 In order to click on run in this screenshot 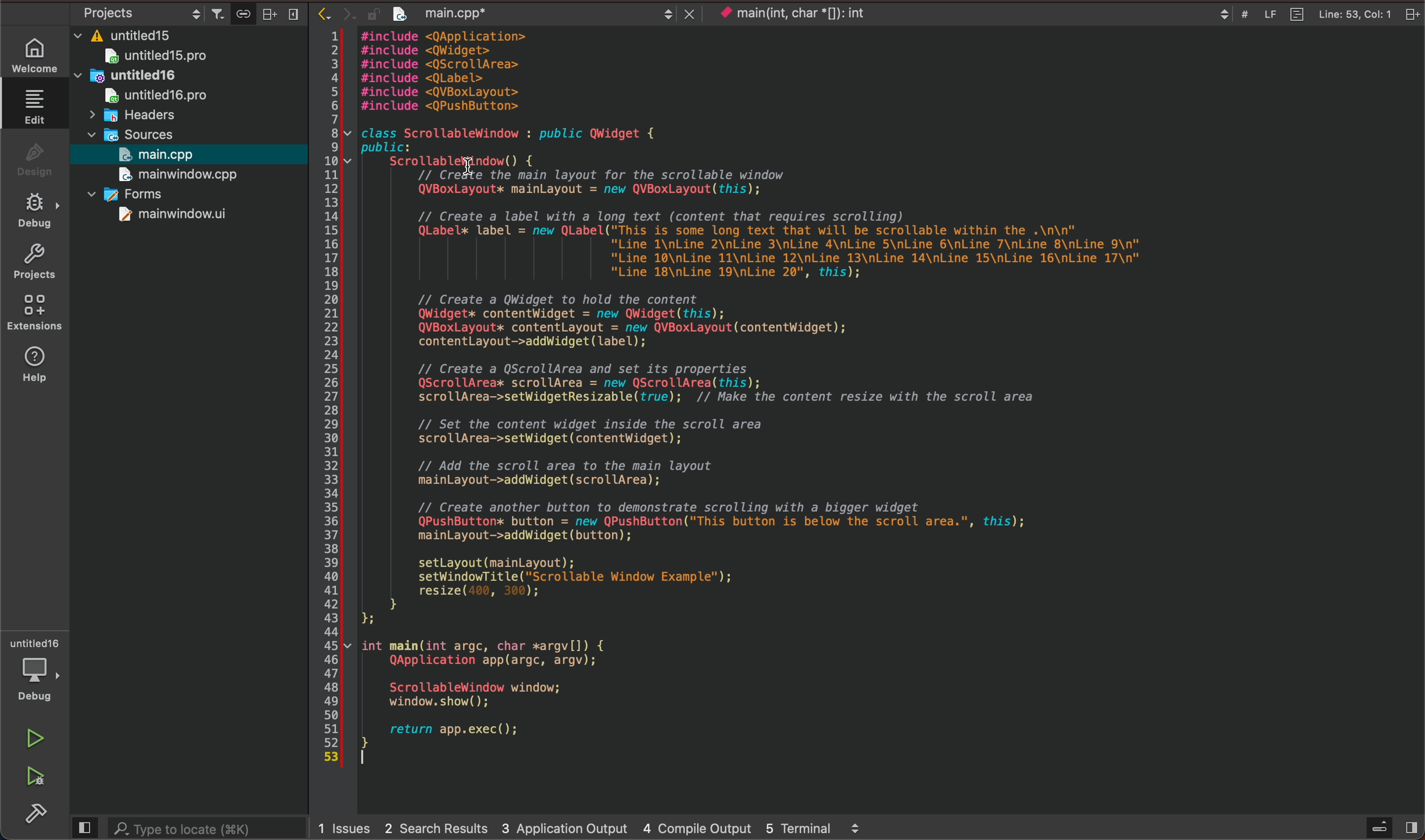, I will do `click(30, 740)`.